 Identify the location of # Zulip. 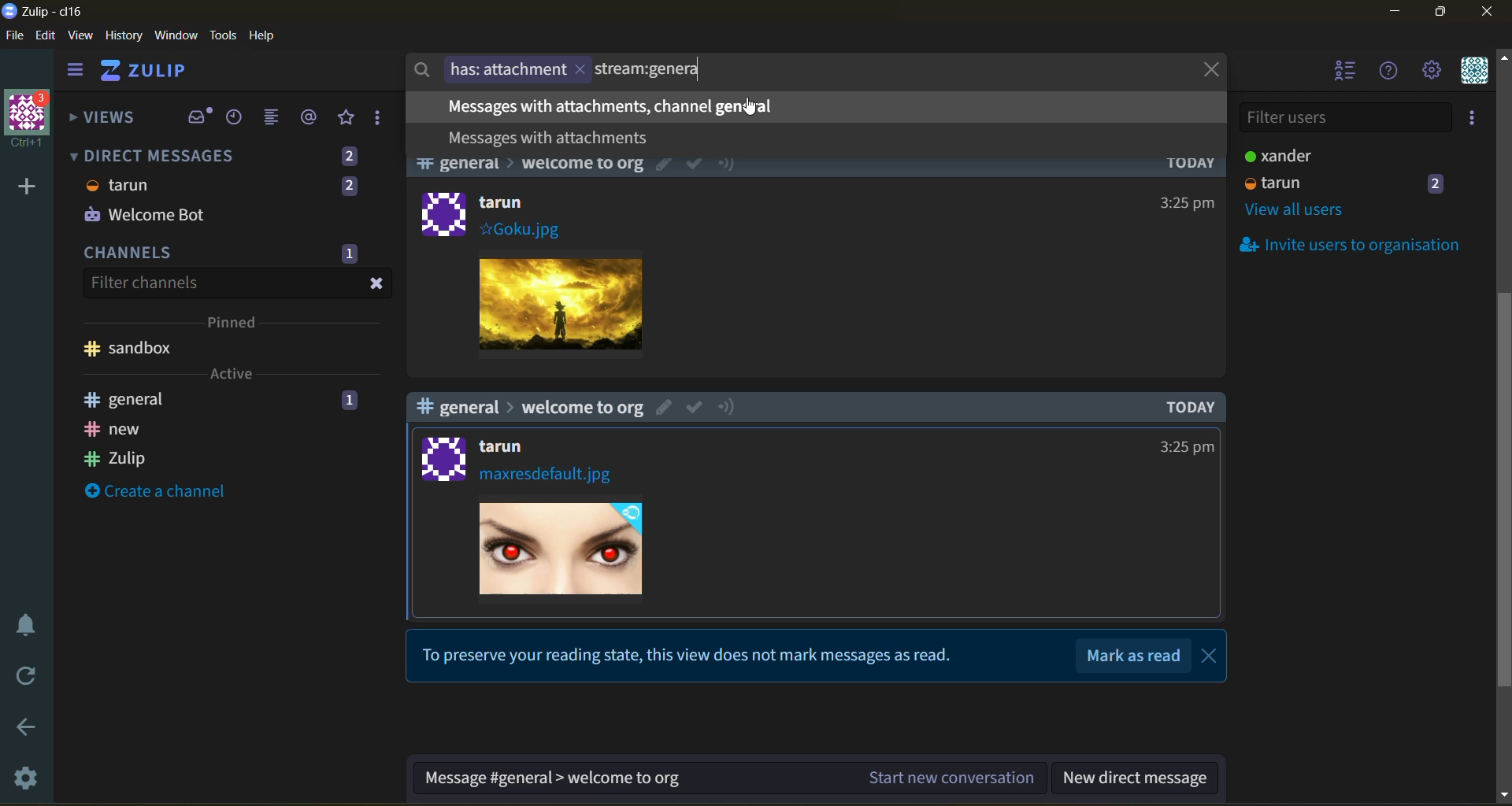
(117, 457).